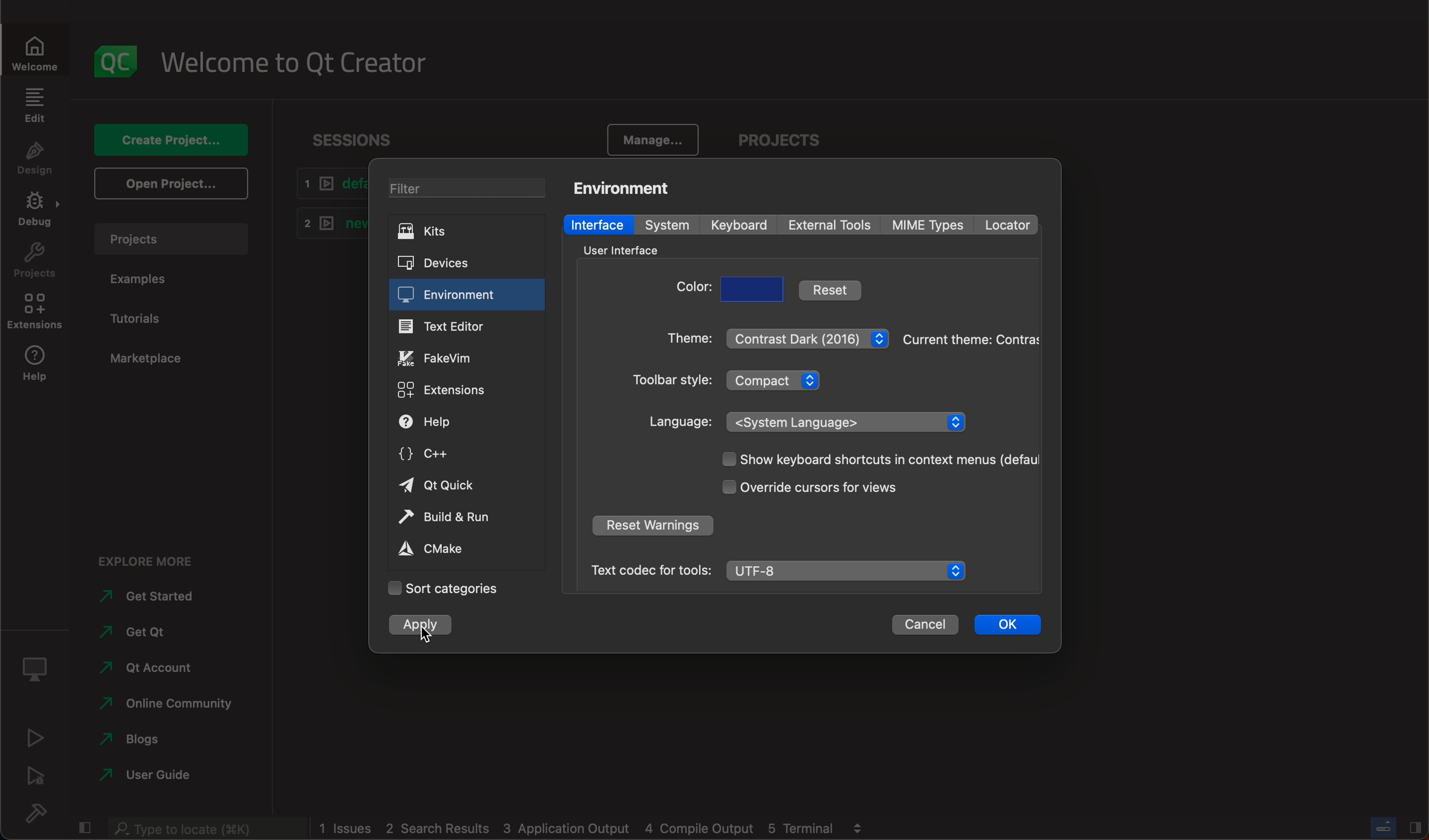 This screenshot has width=1429, height=840. I want to click on language, so click(681, 422).